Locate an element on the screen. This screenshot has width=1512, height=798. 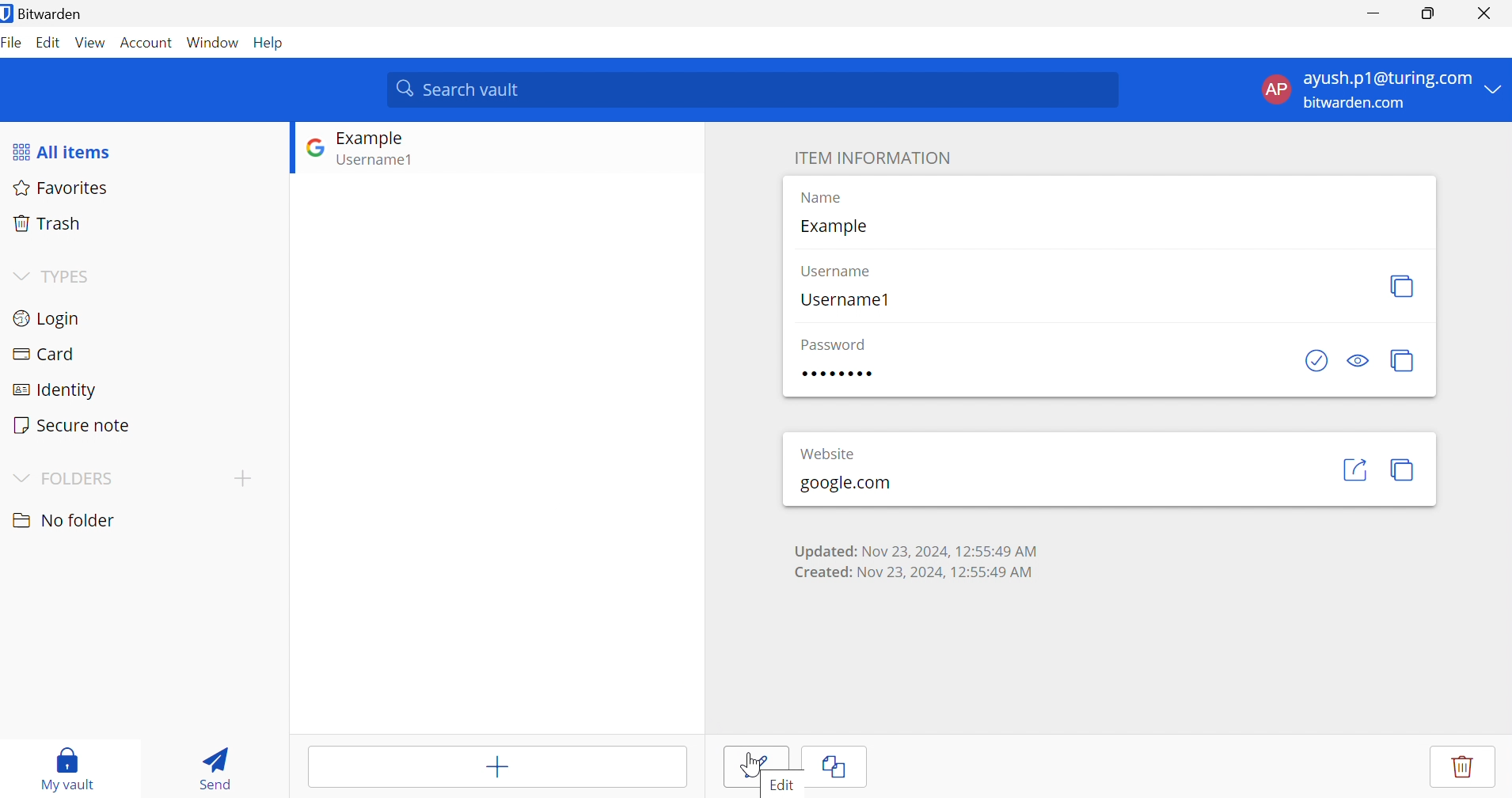
CREATE FOLDER is located at coordinates (246, 481).